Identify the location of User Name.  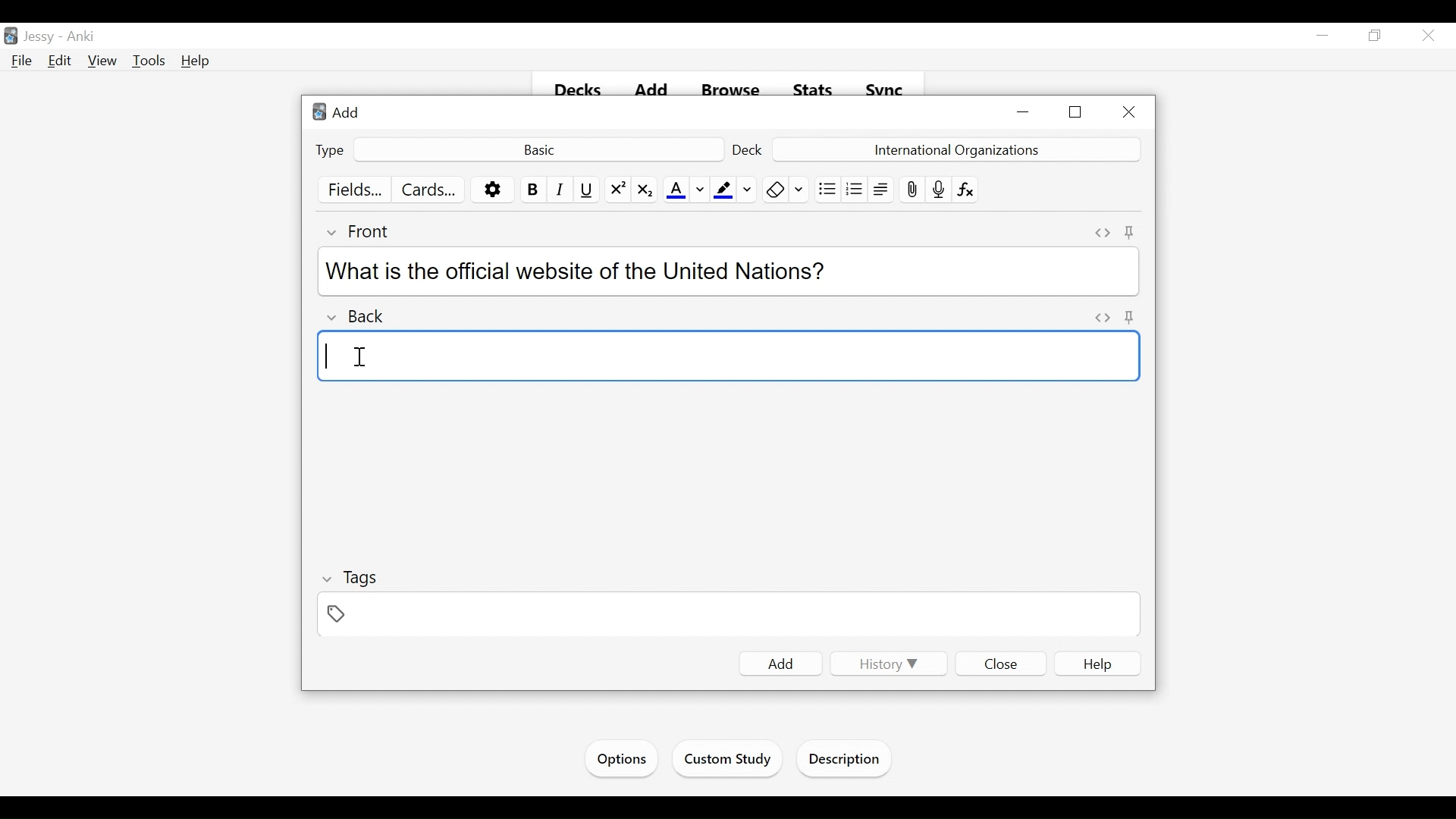
(39, 37).